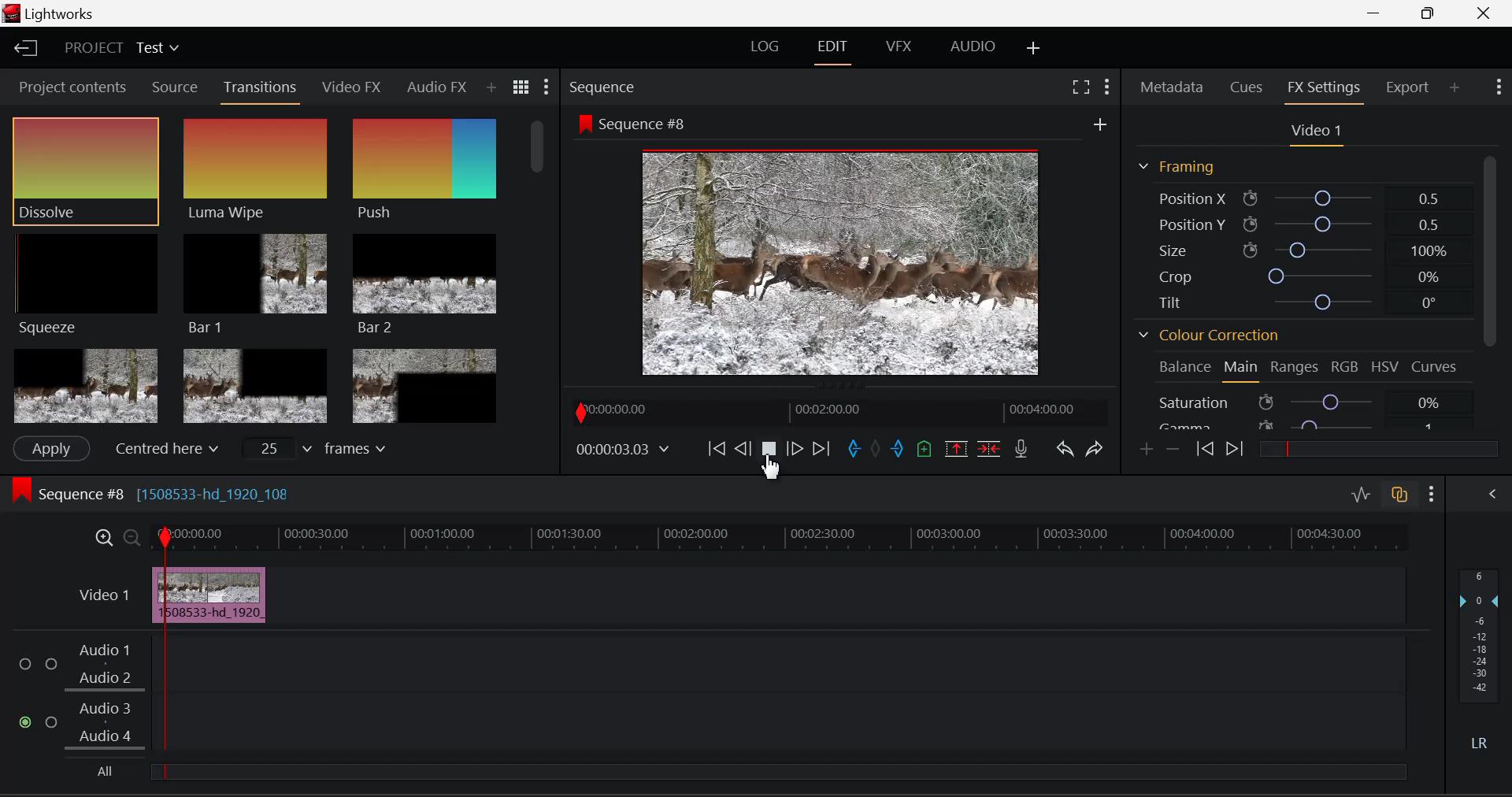 The image size is (1512, 797). Describe the element at coordinates (318, 447) in the screenshot. I see `frames input` at that location.